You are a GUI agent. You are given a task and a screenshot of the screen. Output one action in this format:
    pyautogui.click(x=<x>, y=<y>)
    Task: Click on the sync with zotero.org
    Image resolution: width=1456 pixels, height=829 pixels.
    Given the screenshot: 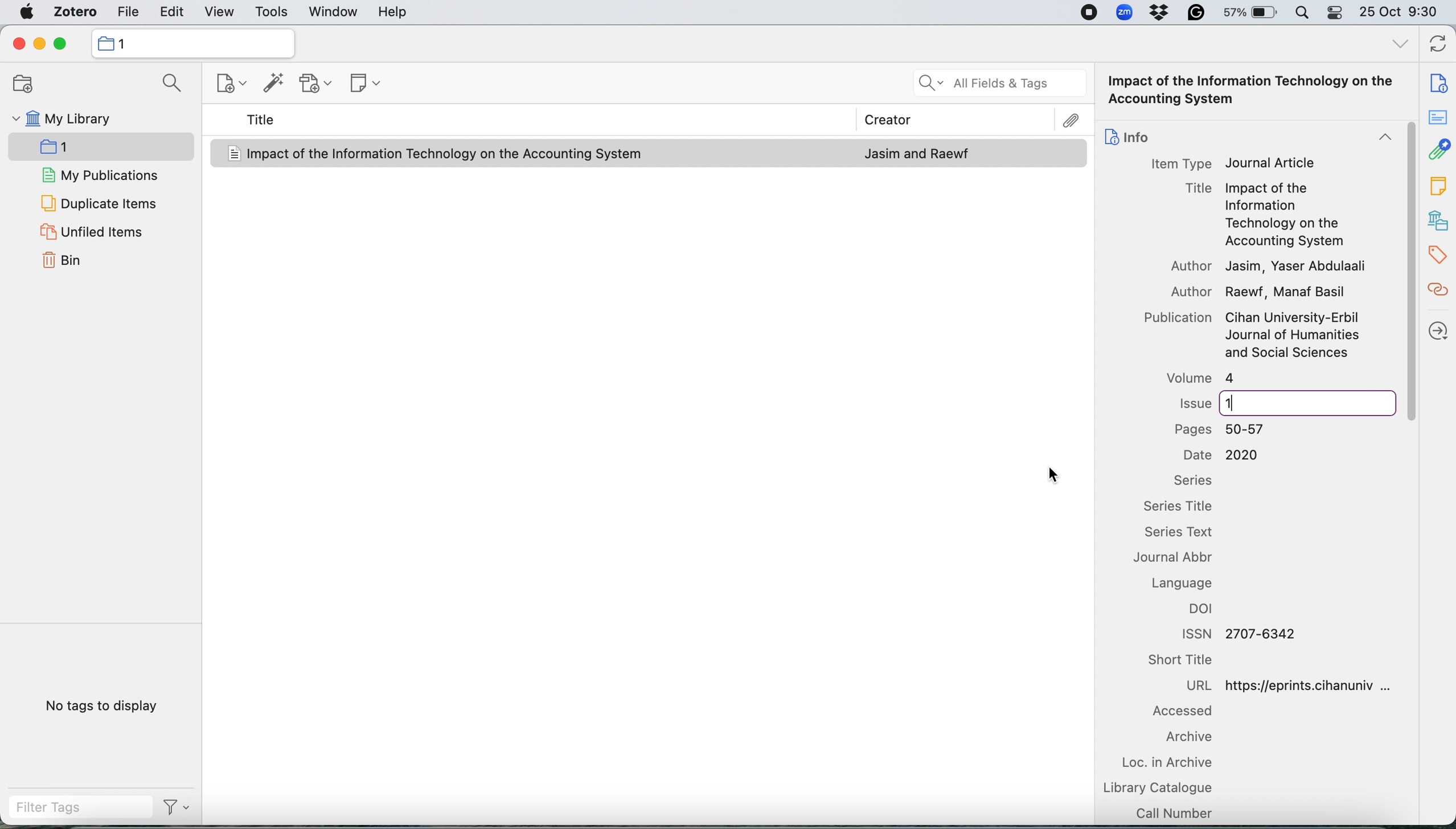 What is the action you would take?
    pyautogui.click(x=1439, y=42)
    